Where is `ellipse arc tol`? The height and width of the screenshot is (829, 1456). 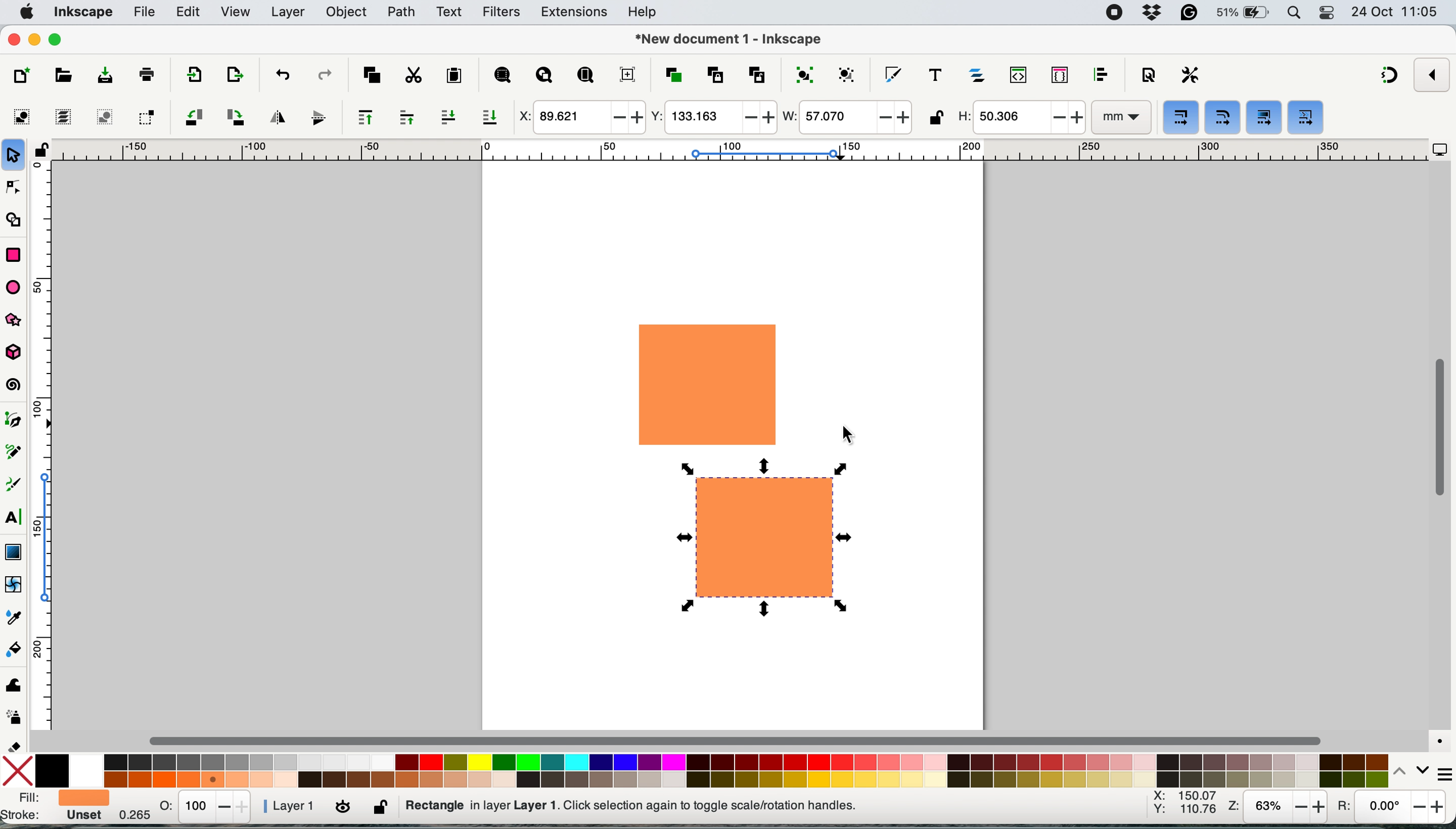
ellipse arc tol is located at coordinates (17, 286).